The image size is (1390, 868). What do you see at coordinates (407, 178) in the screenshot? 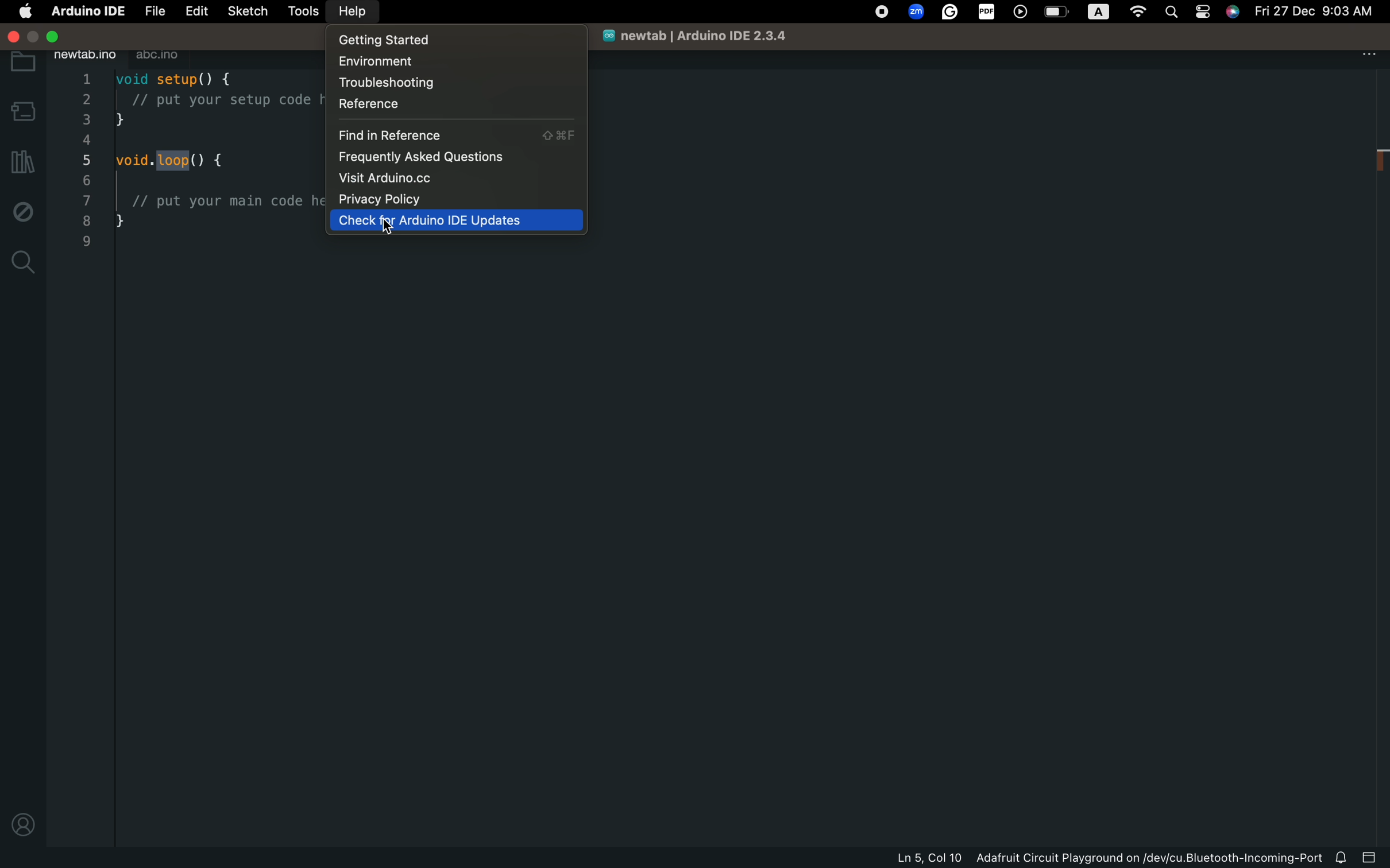
I see `Visit Arduino.cc` at bounding box center [407, 178].